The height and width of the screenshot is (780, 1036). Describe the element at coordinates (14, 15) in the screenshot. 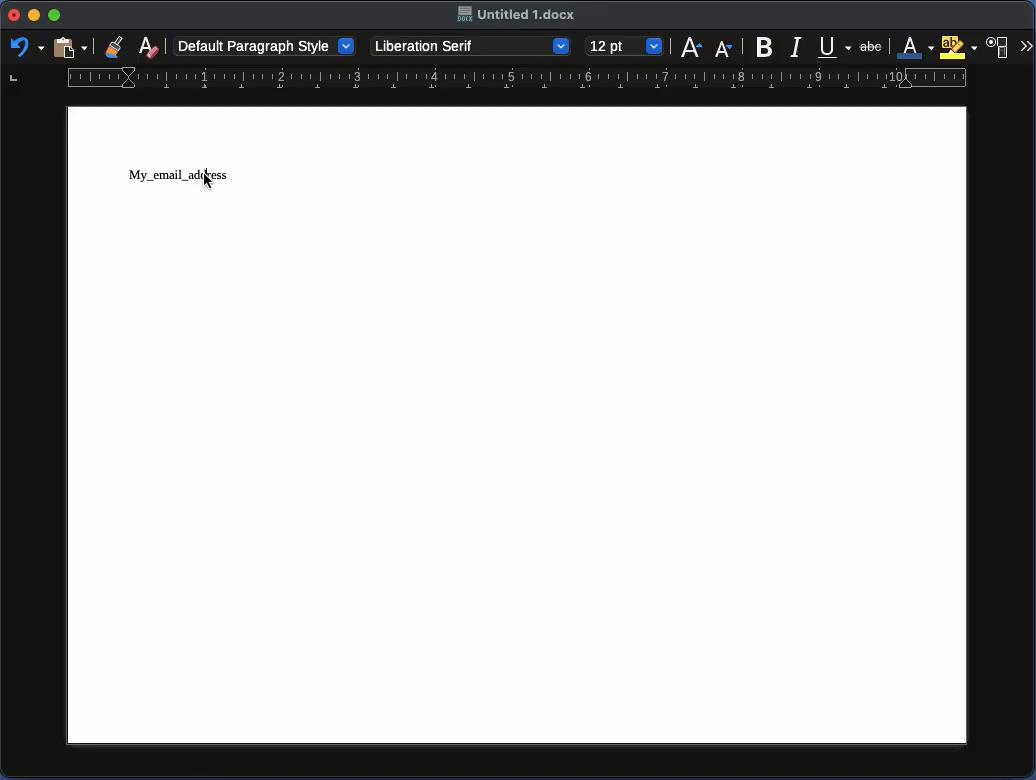

I see `Close` at that location.